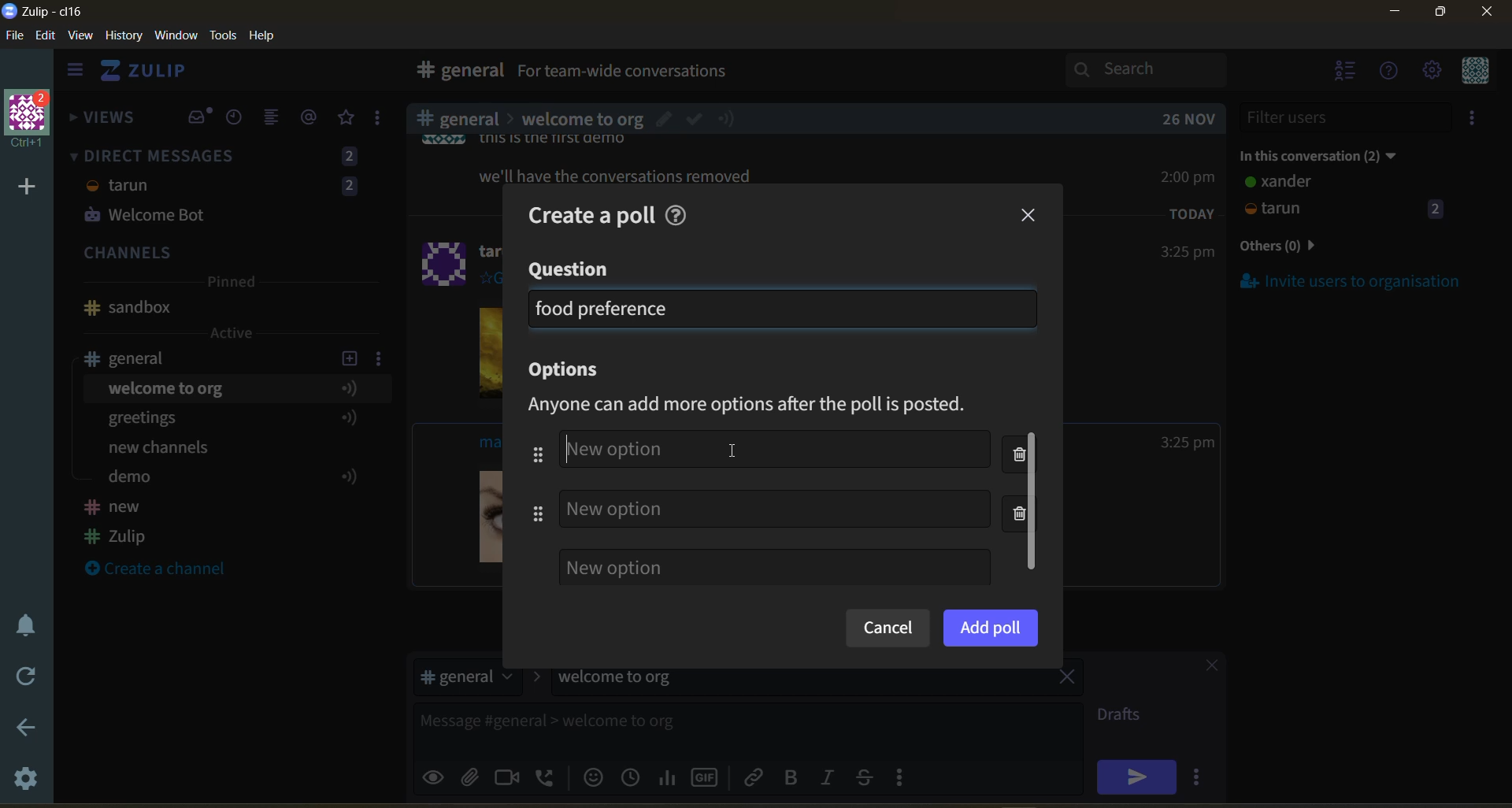  Describe the element at coordinates (570, 371) in the screenshot. I see `options` at that location.